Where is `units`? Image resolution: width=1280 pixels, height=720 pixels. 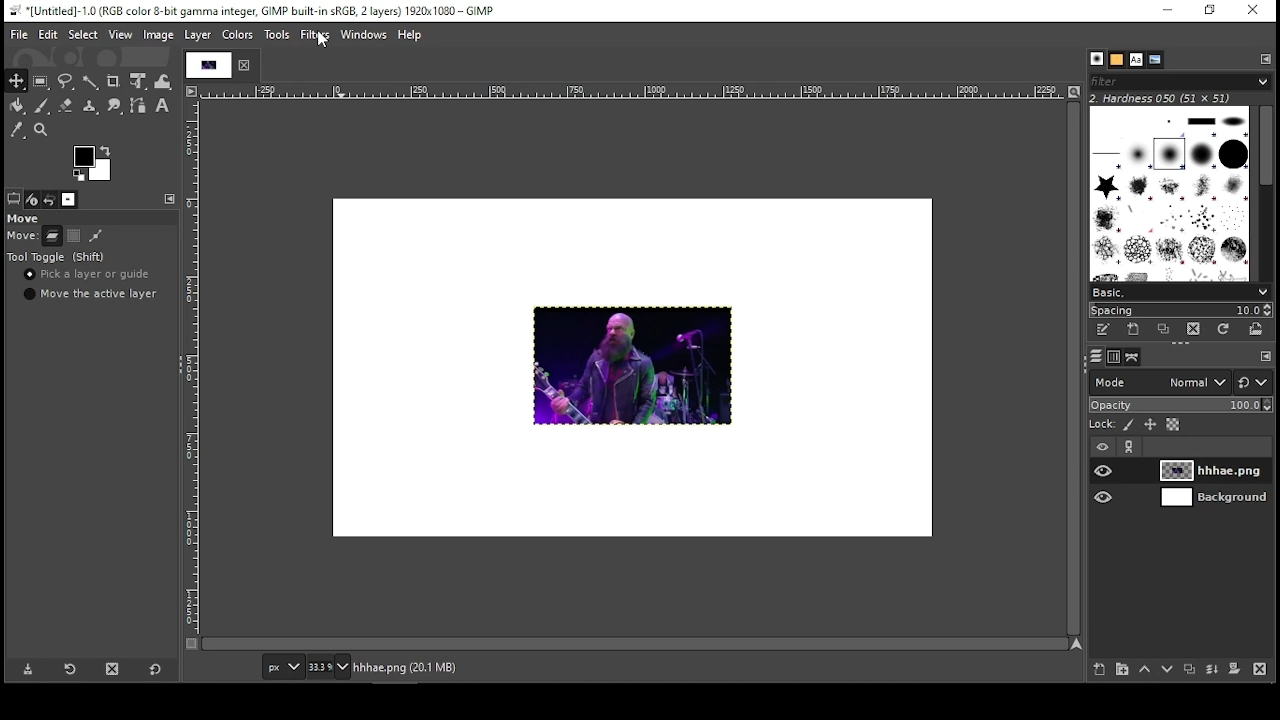 units is located at coordinates (285, 665).